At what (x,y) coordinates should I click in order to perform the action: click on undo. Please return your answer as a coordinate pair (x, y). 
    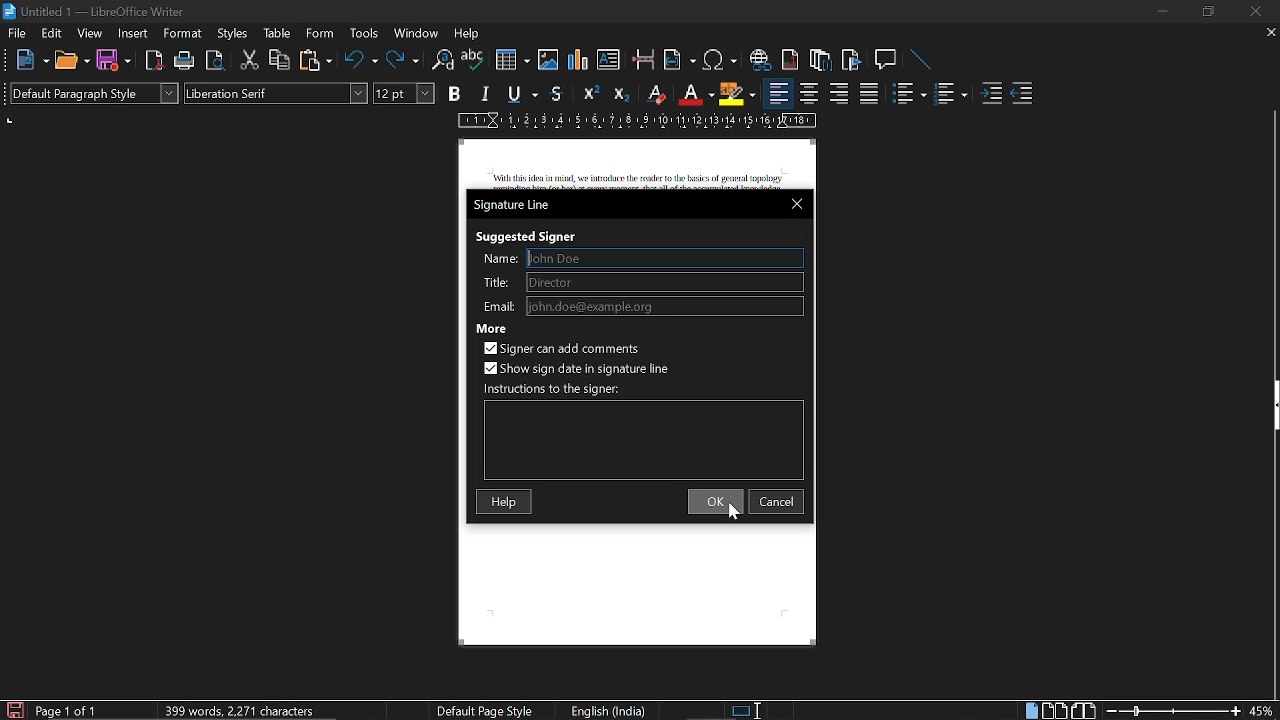
    Looking at the image, I should click on (362, 59).